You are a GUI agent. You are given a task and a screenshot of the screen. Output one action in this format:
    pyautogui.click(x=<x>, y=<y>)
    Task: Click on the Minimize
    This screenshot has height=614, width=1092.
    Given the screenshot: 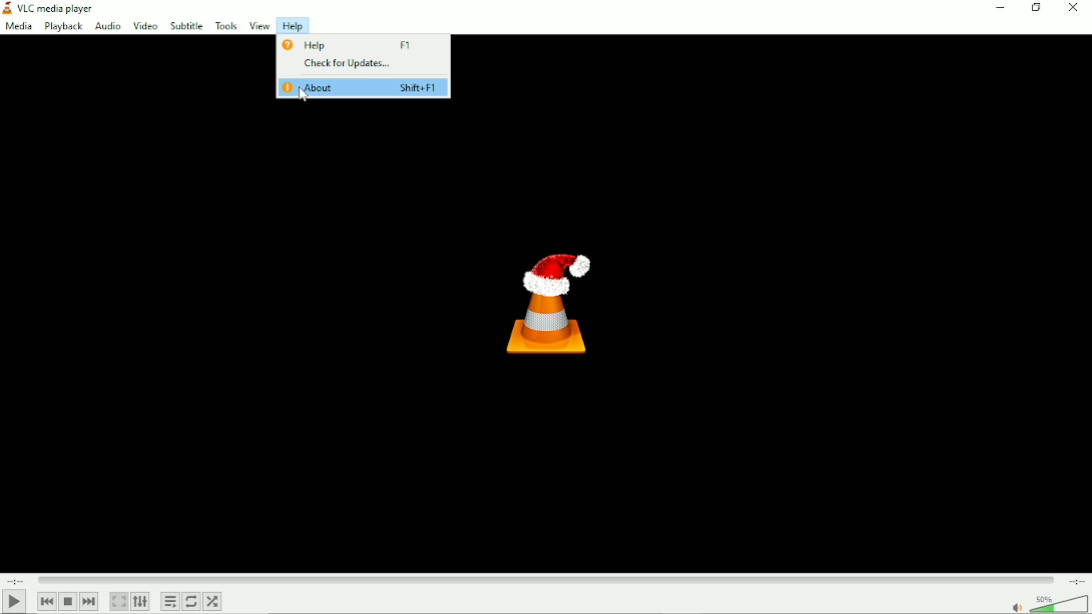 What is the action you would take?
    pyautogui.click(x=998, y=8)
    